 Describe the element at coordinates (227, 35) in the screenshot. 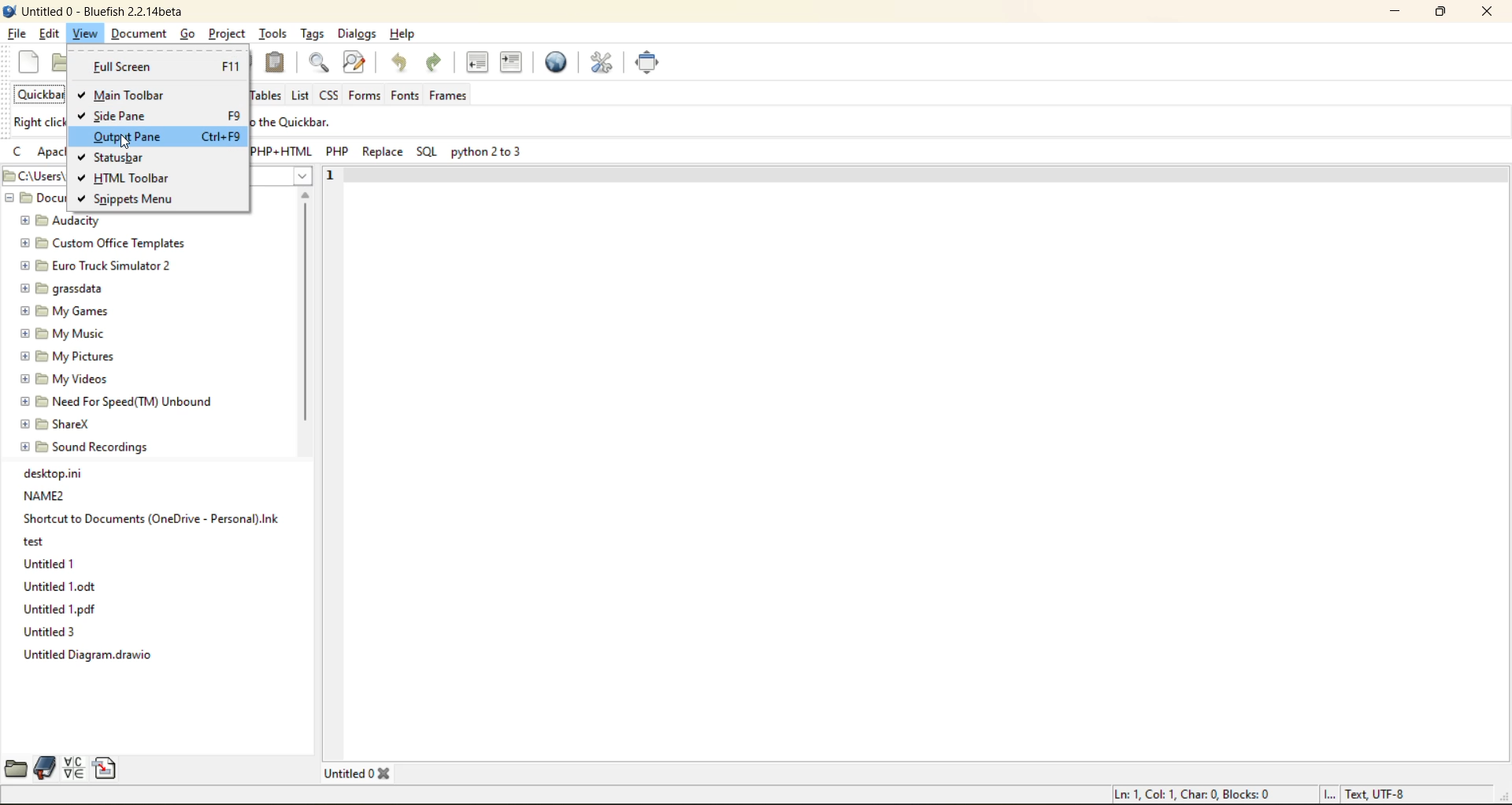

I see `project` at that location.